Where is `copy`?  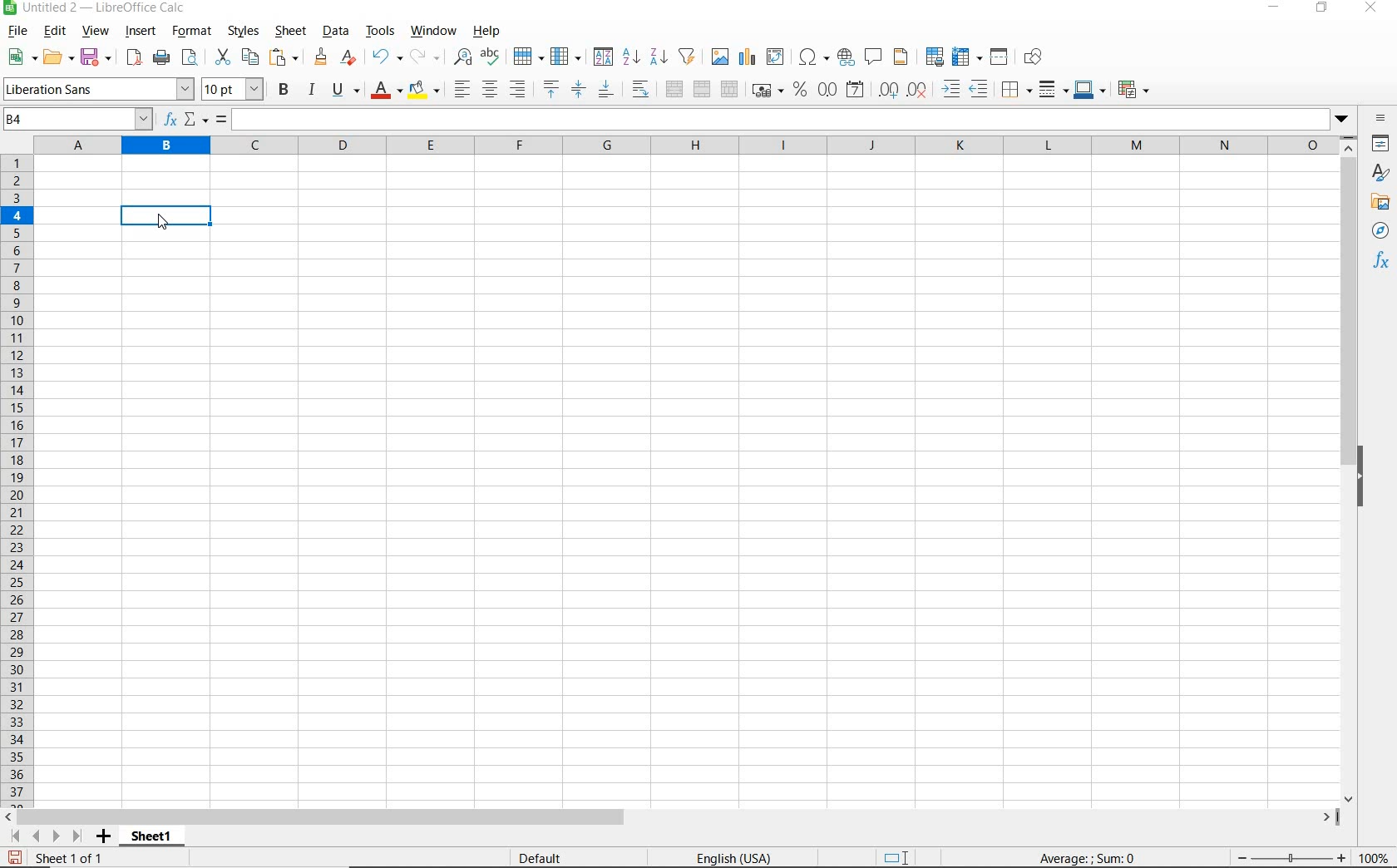
copy is located at coordinates (250, 57).